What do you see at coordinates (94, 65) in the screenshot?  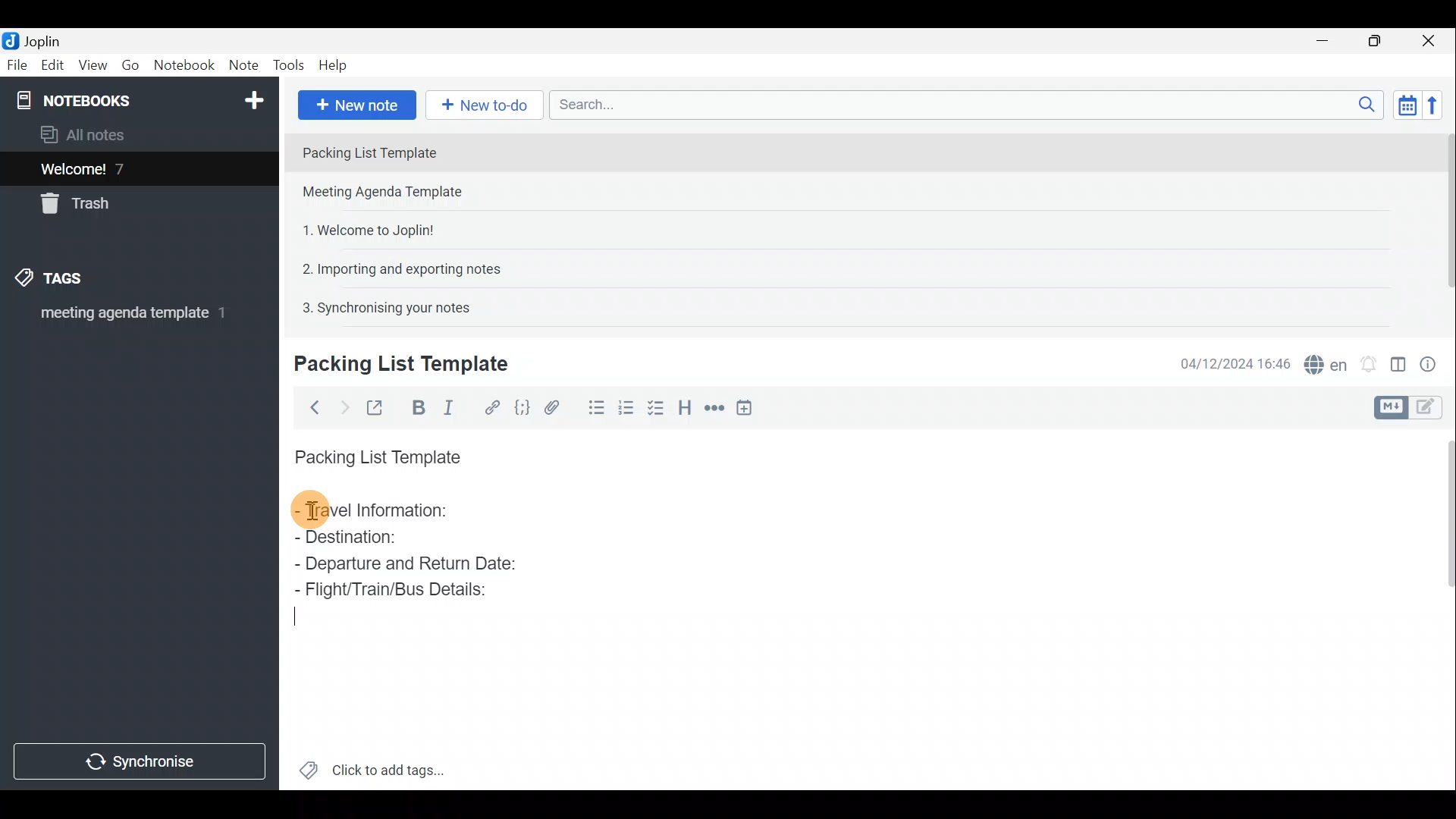 I see `View` at bounding box center [94, 65].